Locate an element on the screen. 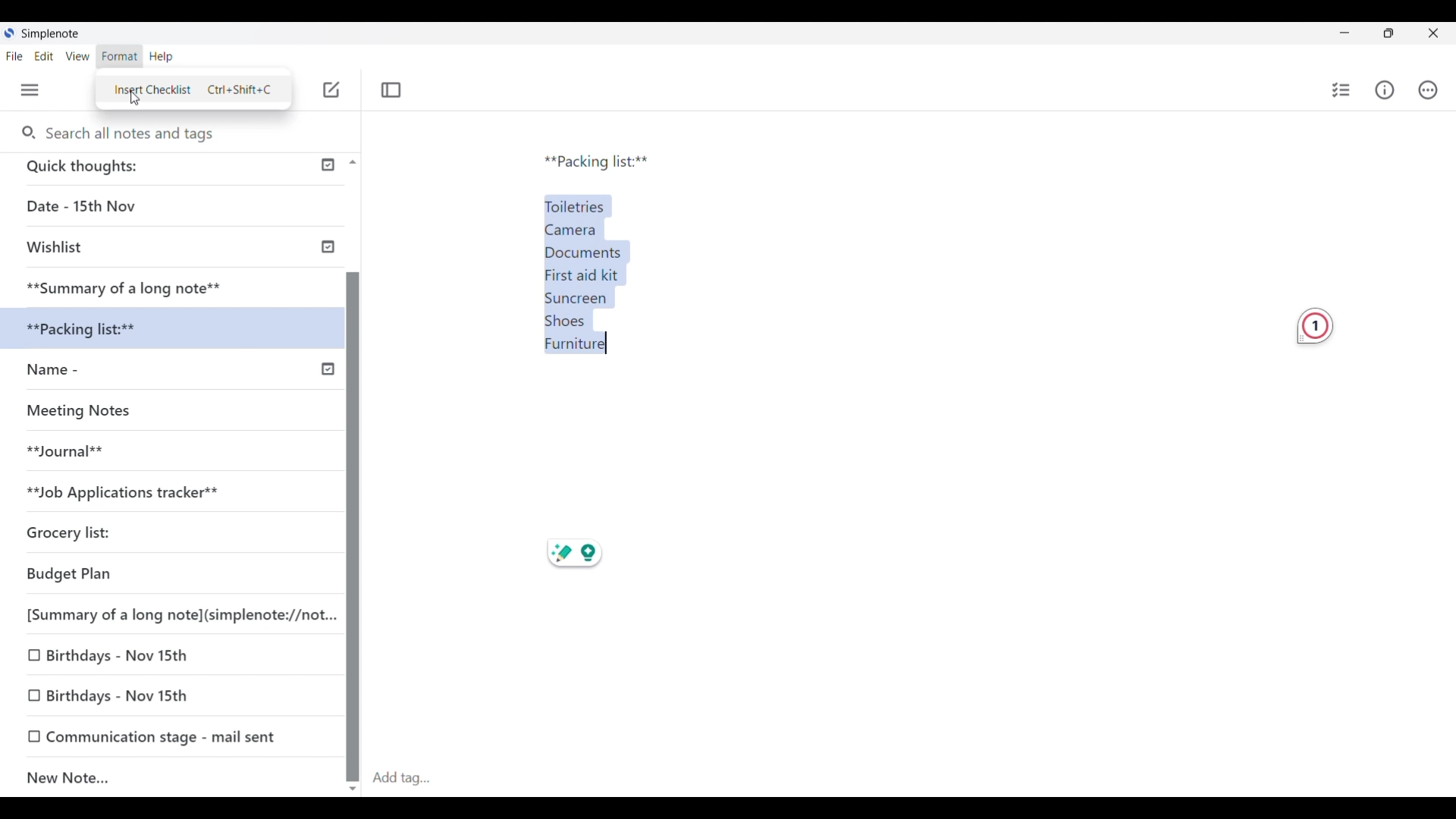 The image size is (1456, 819). Name - is located at coordinates (85, 372).